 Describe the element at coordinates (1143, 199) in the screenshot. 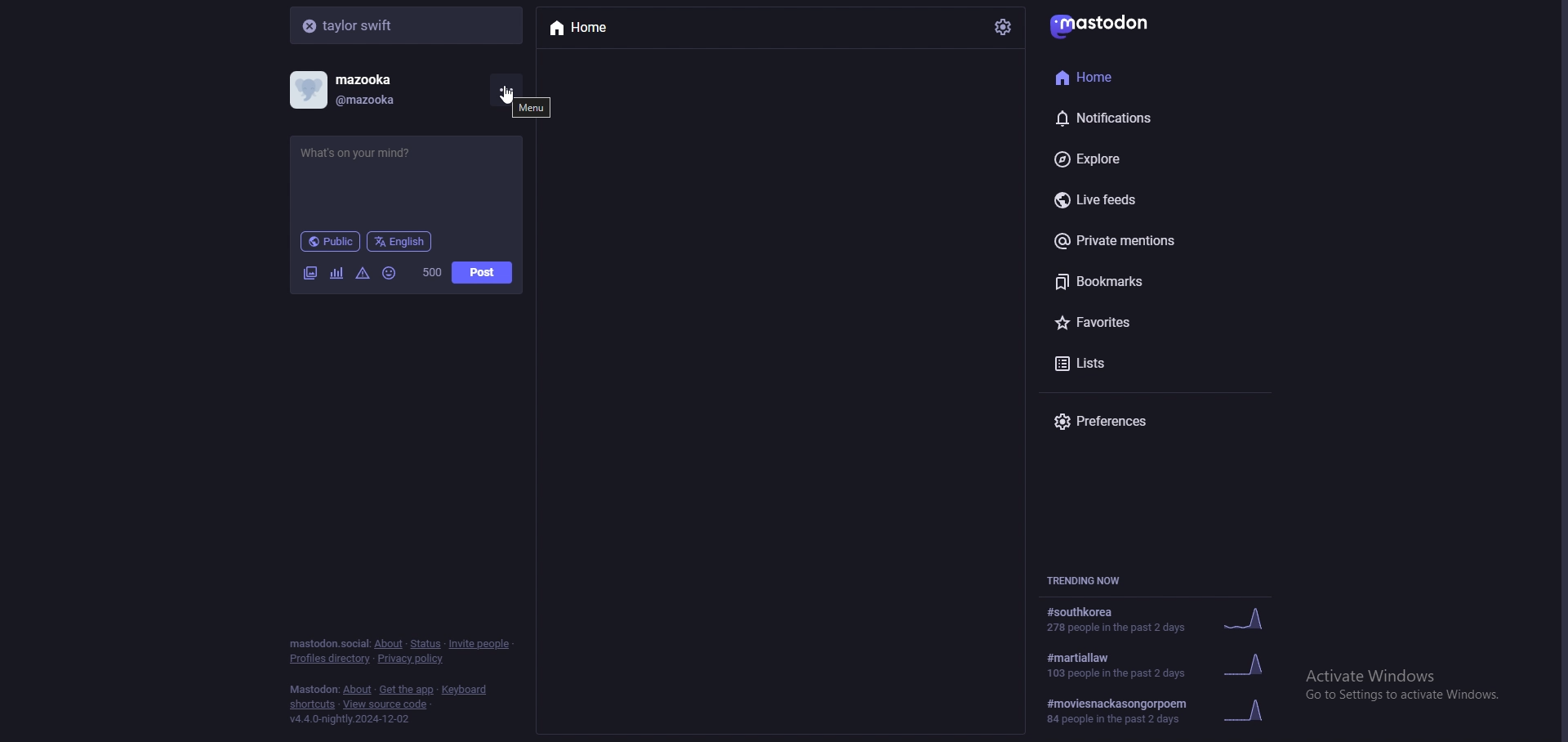

I see `live feeds` at that location.